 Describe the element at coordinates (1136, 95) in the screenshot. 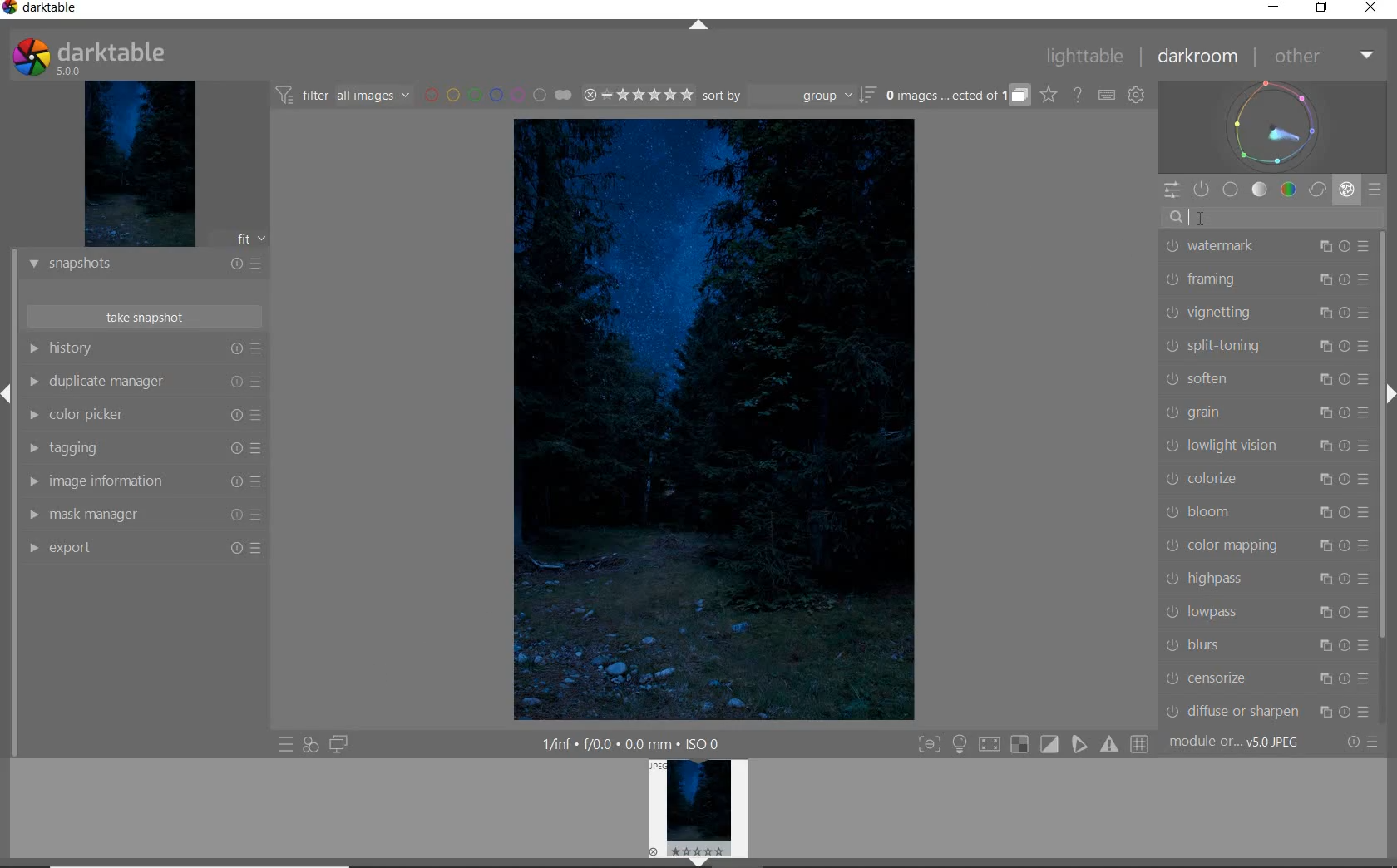

I see `SHOW GLOBAL PREFERENCES` at that location.